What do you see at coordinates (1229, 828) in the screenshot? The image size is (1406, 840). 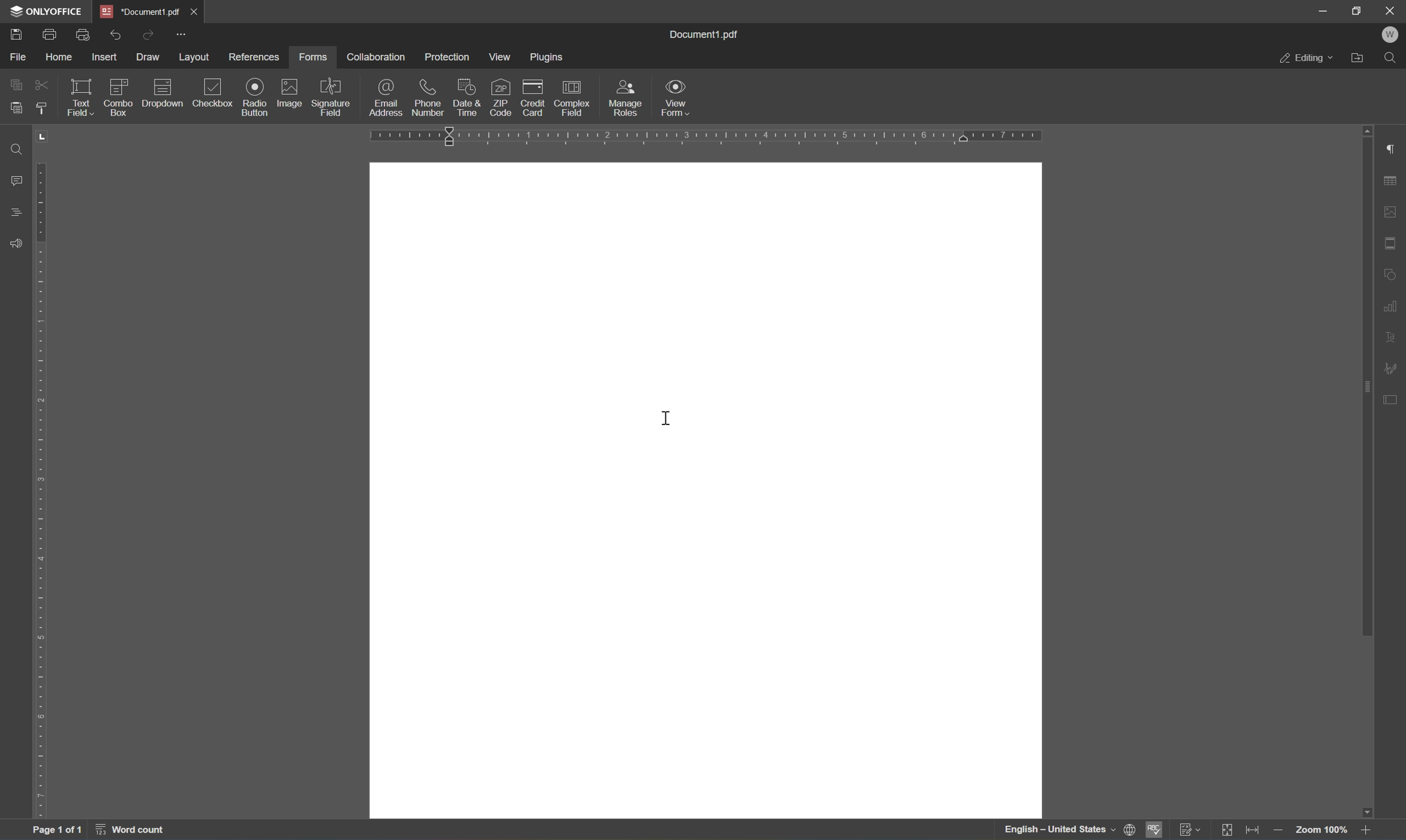 I see `fit to page` at bounding box center [1229, 828].